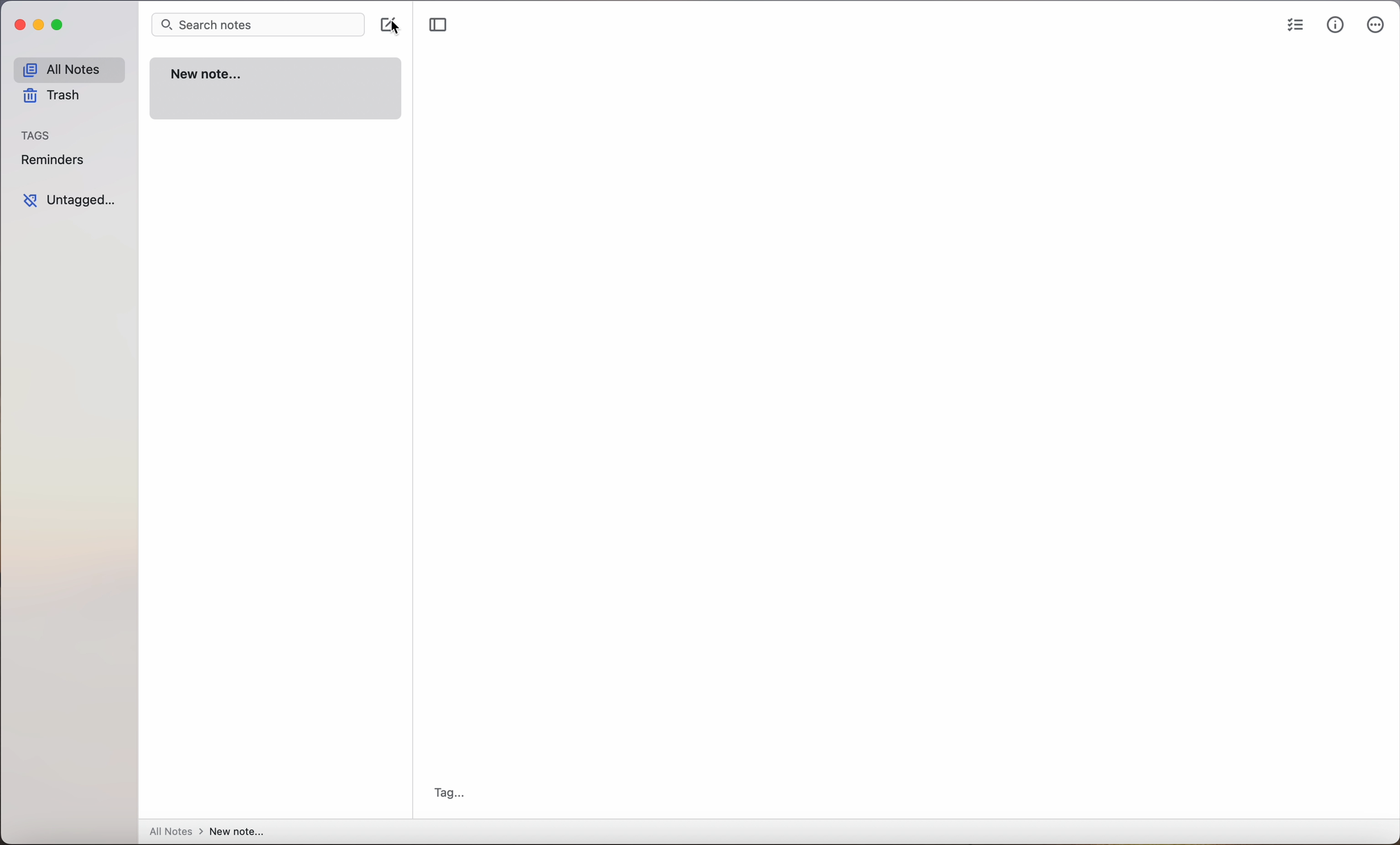  Describe the element at coordinates (41, 27) in the screenshot. I see `minimize Simplenote` at that location.